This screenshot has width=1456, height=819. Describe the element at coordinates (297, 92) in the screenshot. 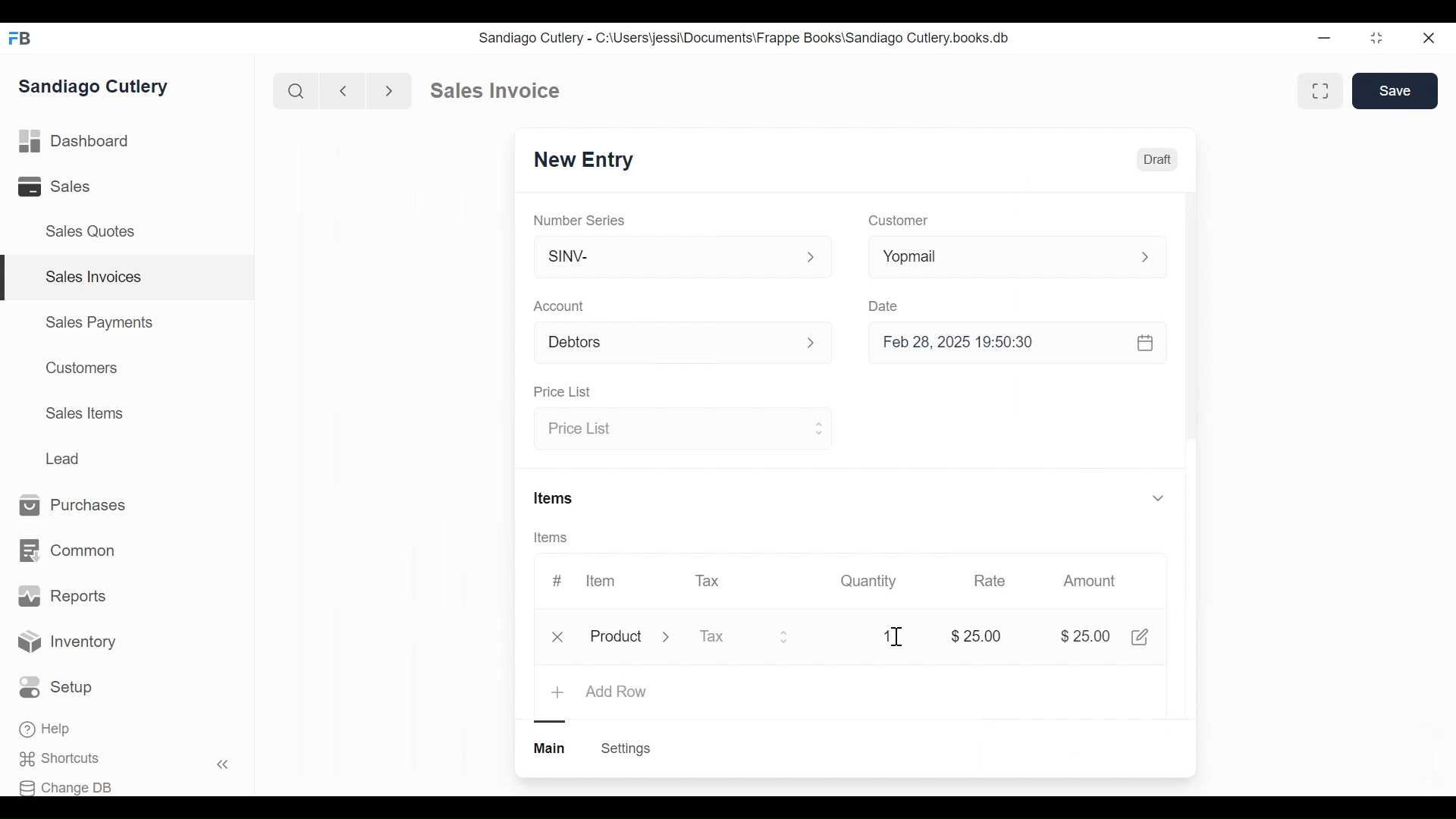

I see `search` at that location.